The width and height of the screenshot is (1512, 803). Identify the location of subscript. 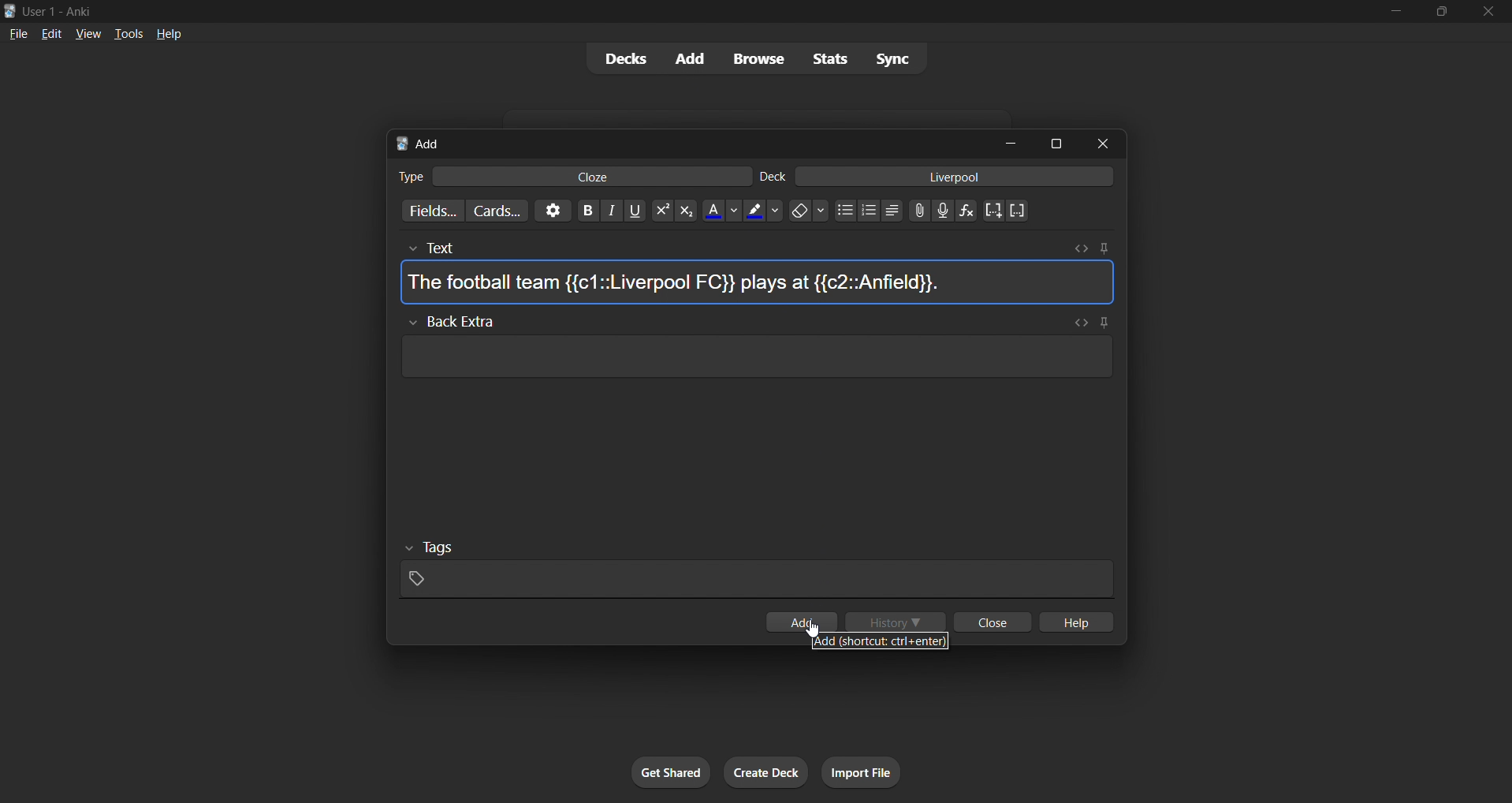
(683, 216).